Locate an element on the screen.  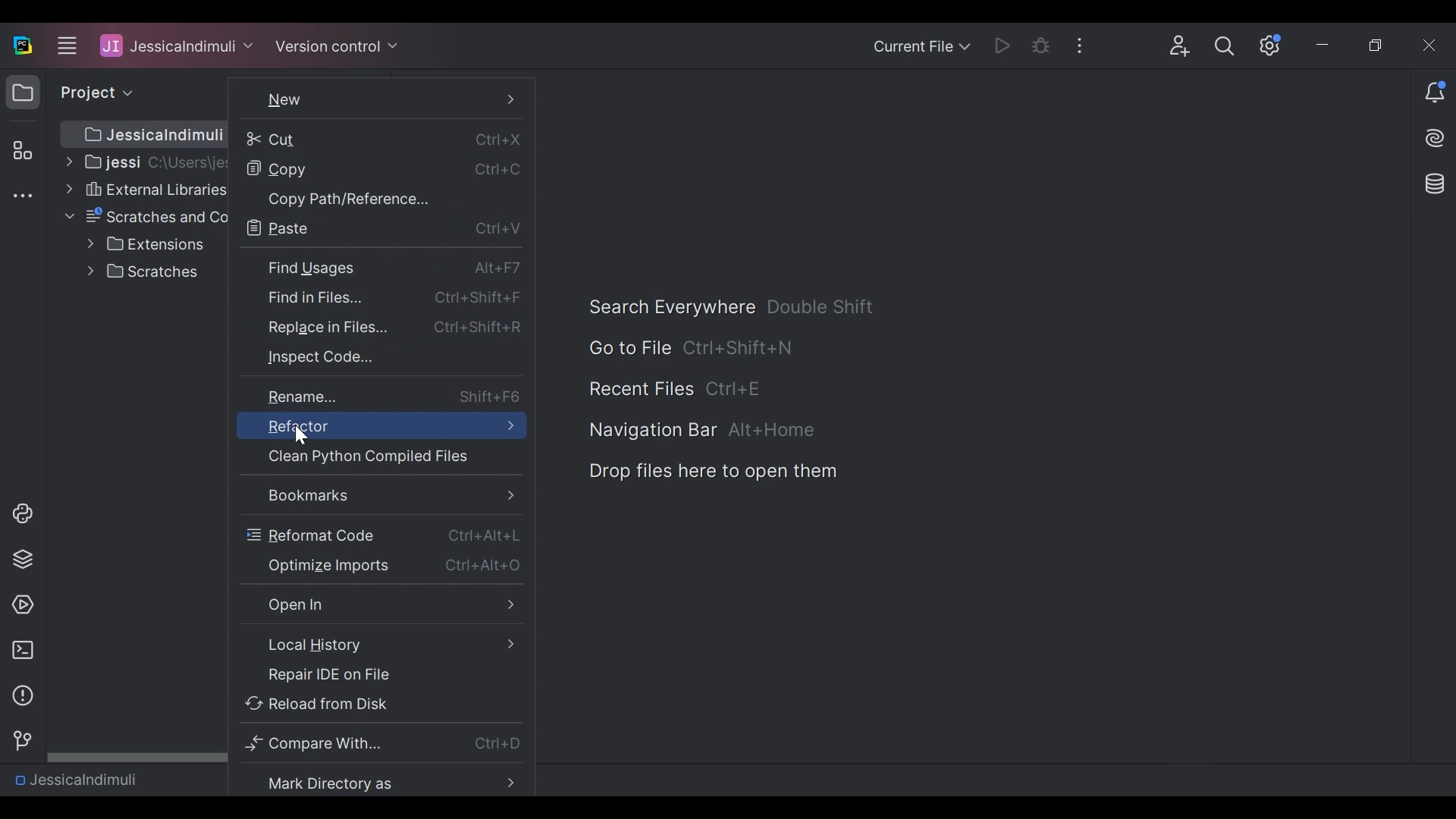
Replace in Files is located at coordinates (379, 326).